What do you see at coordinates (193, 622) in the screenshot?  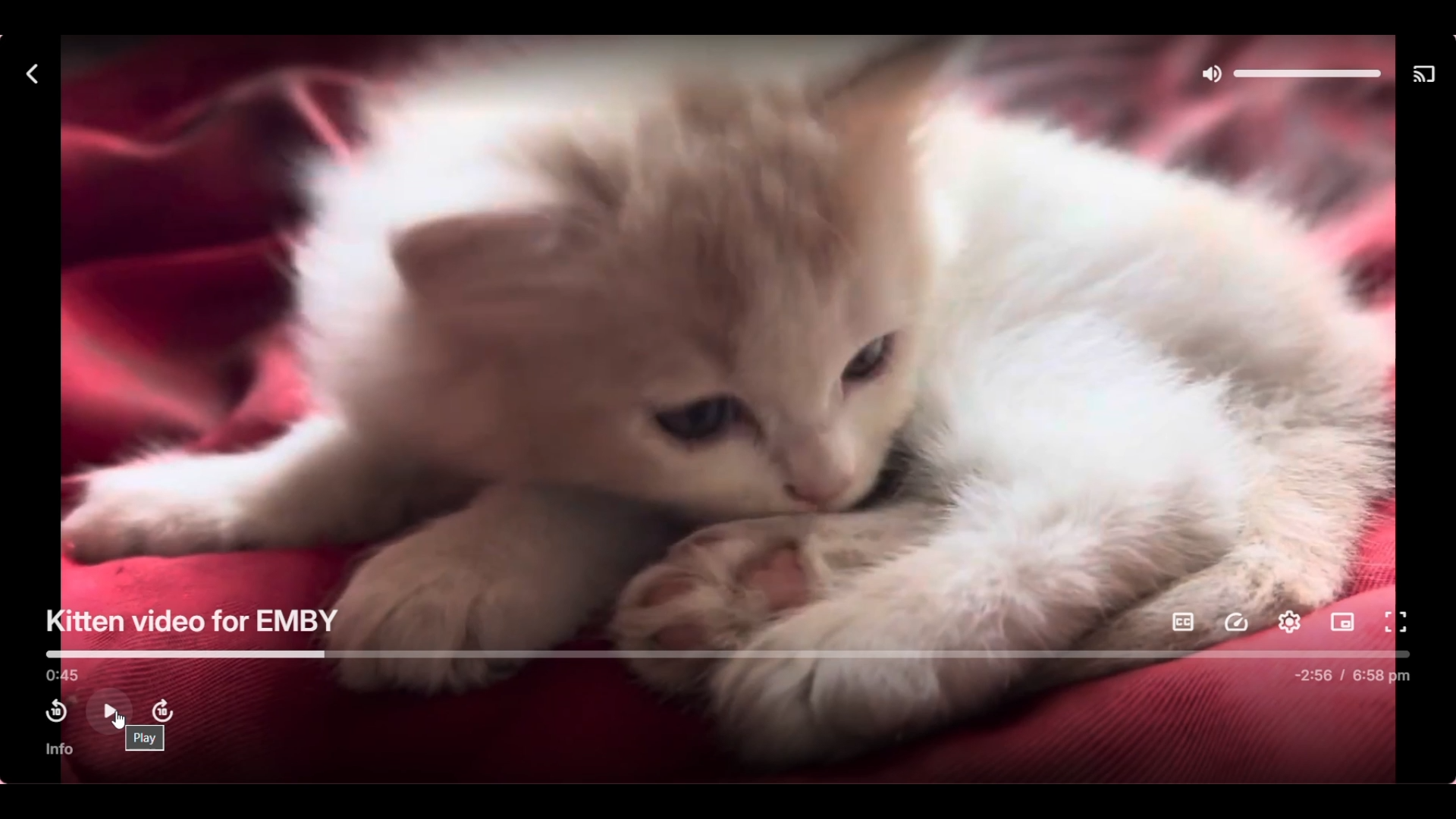 I see `Kitten video for Emby` at bounding box center [193, 622].